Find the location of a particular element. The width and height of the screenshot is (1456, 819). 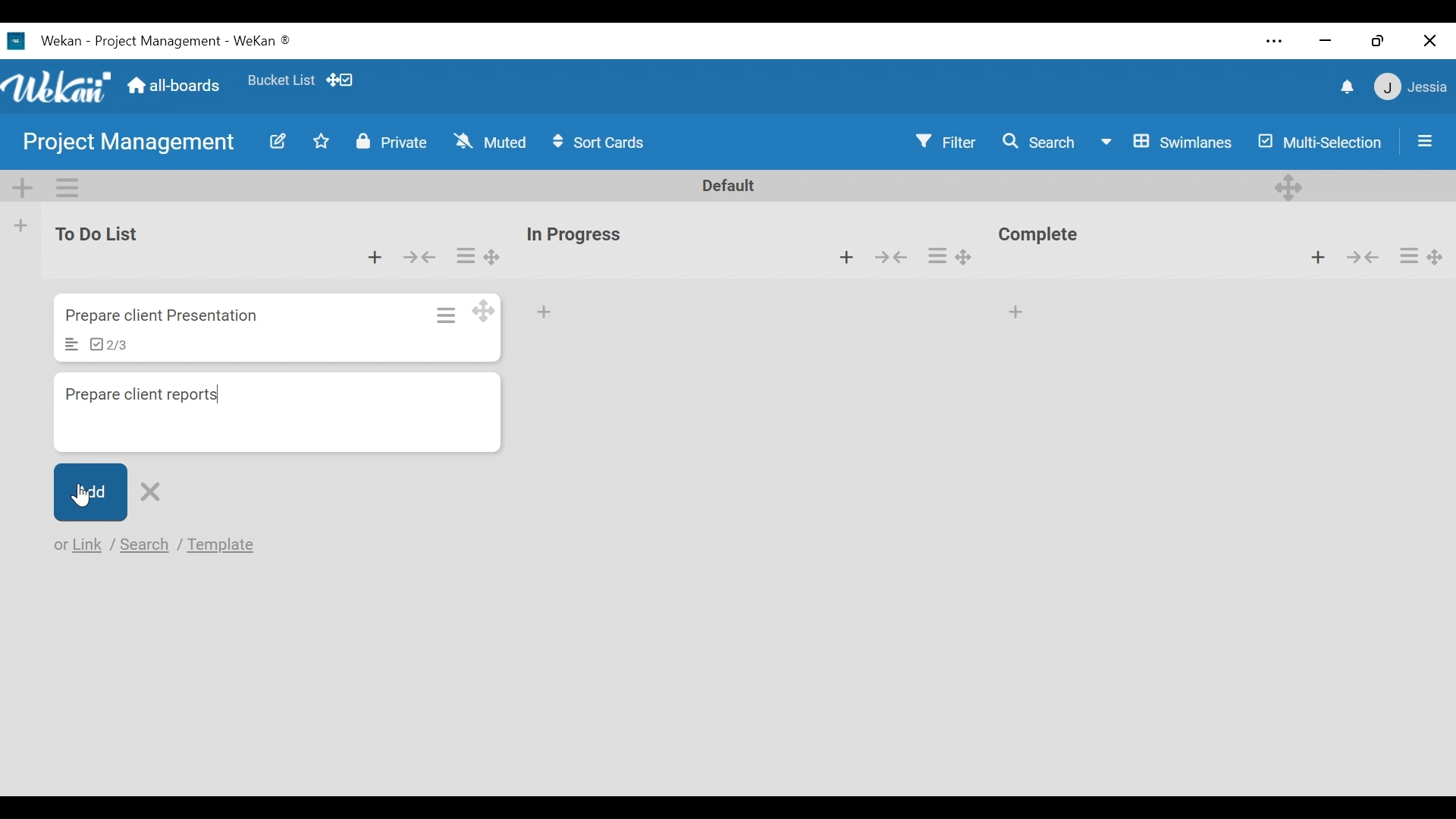

Add list is located at coordinates (22, 225).